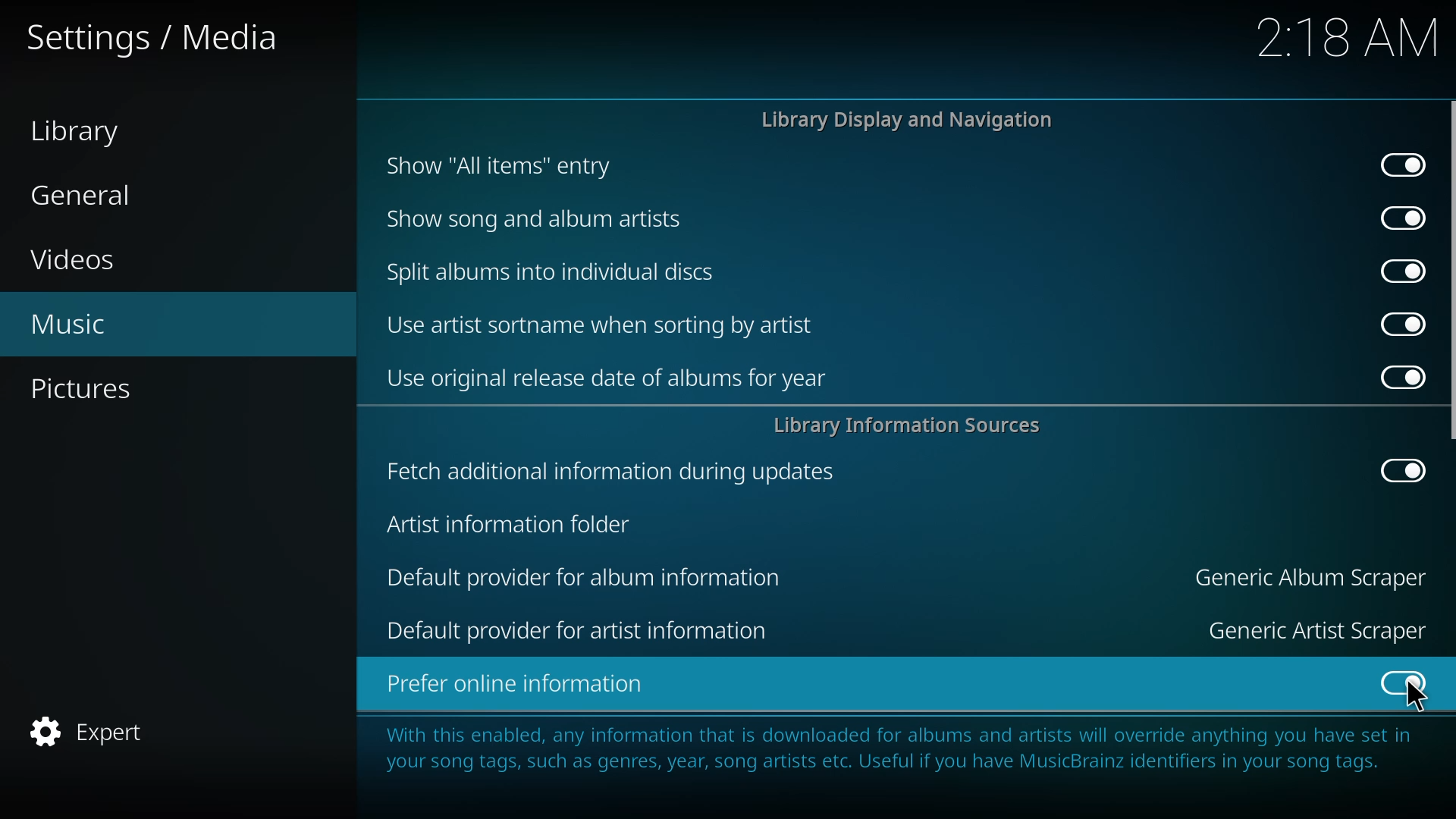 The height and width of the screenshot is (819, 1456). Describe the element at coordinates (1394, 375) in the screenshot. I see `enabled` at that location.